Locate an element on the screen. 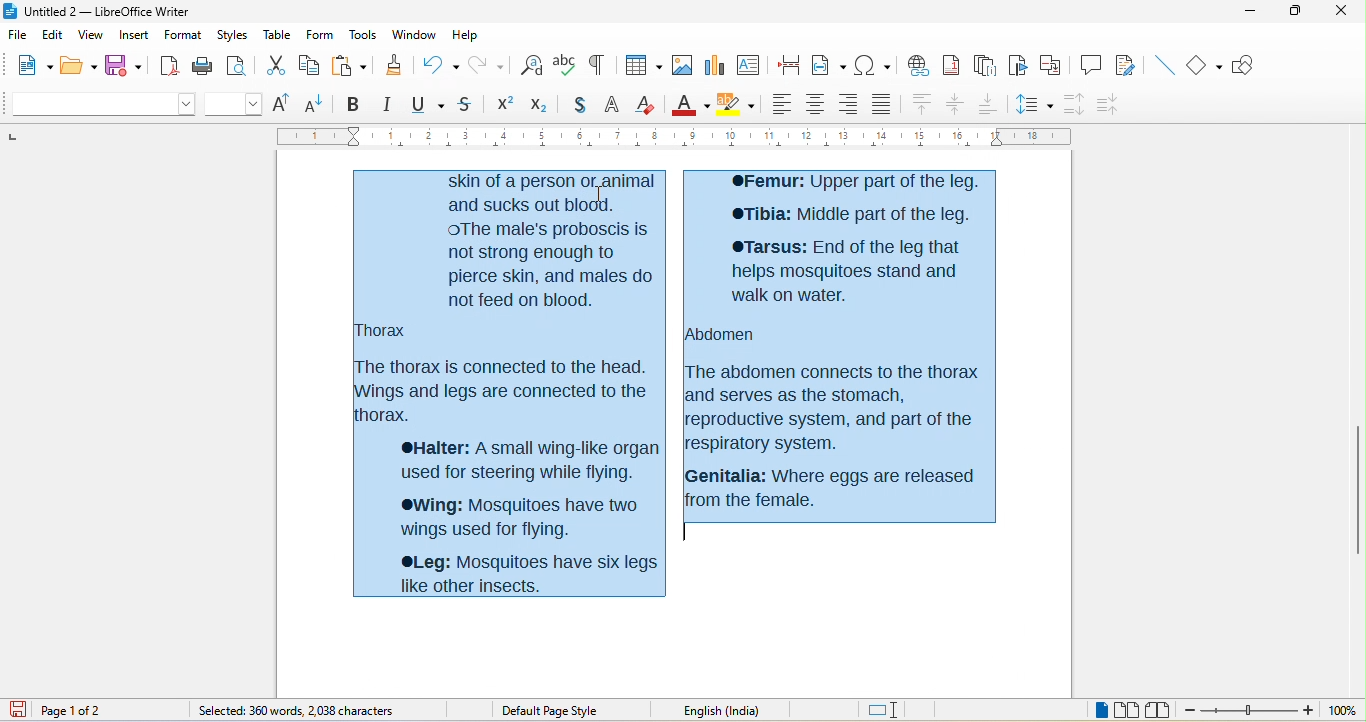 This screenshot has height=722, width=1366. strikethrough is located at coordinates (471, 104).